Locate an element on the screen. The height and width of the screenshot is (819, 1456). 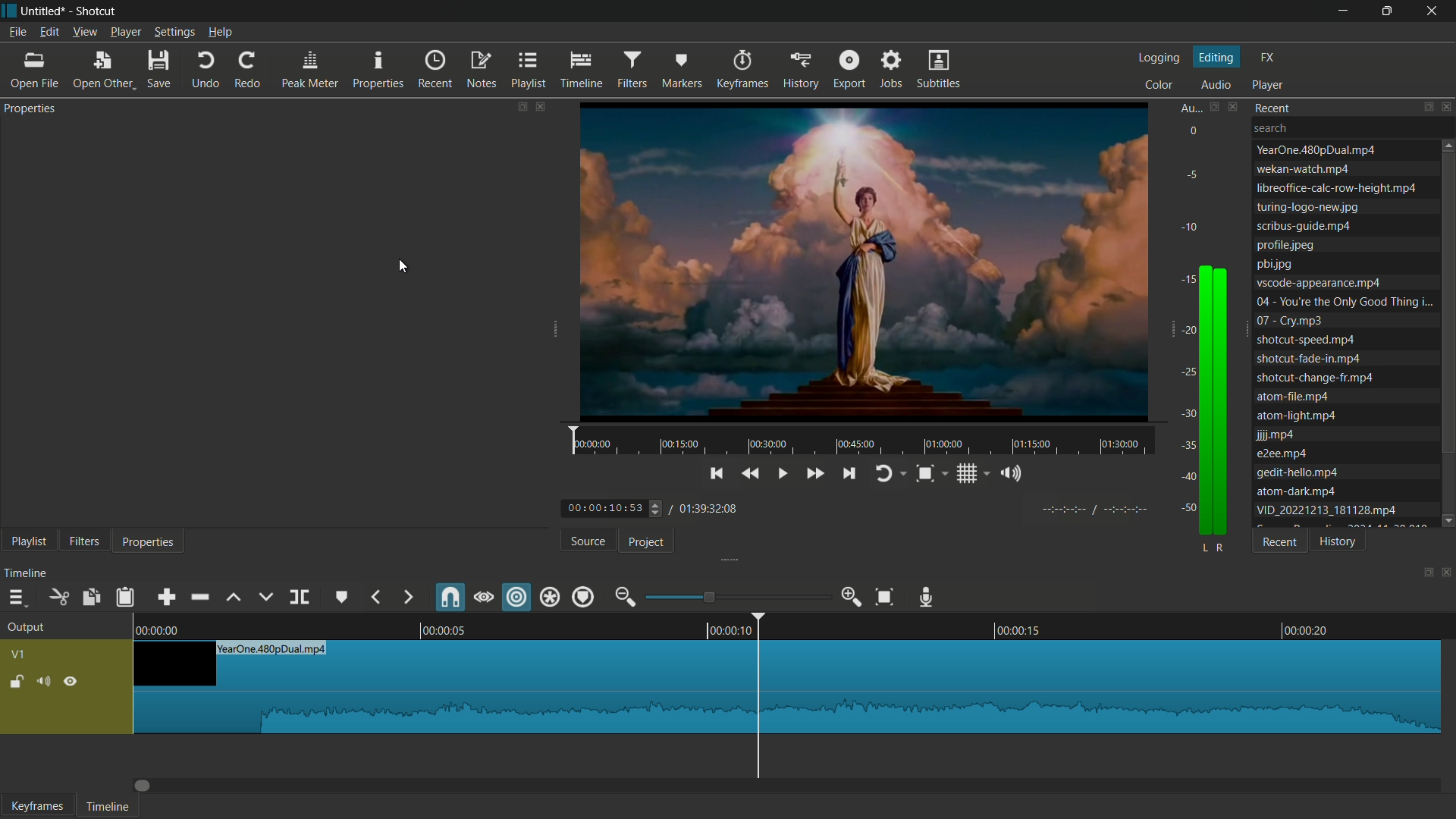
open other is located at coordinates (102, 71).